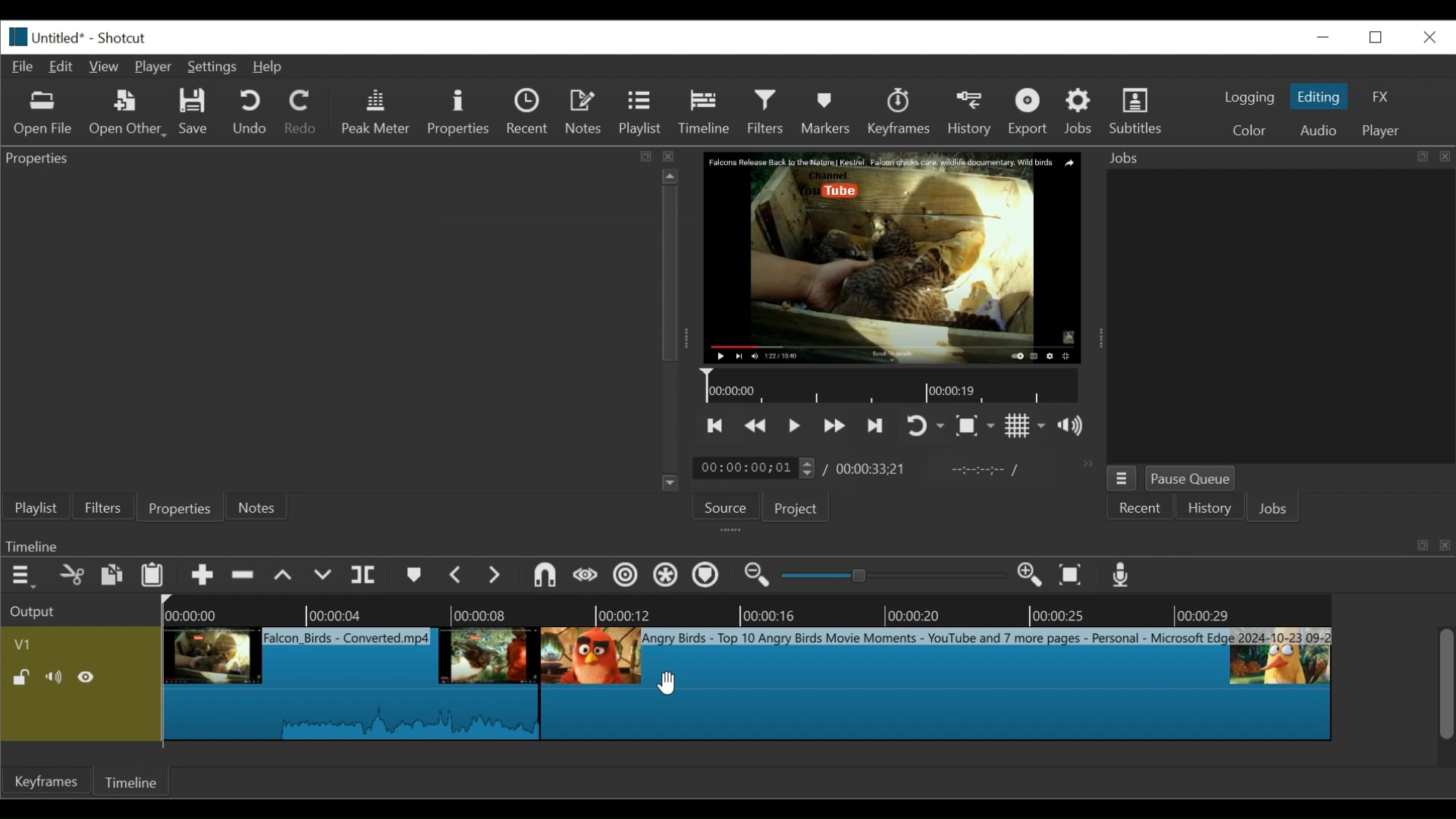 This screenshot has height=819, width=1456. I want to click on (un)lock track, so click(25, 678).